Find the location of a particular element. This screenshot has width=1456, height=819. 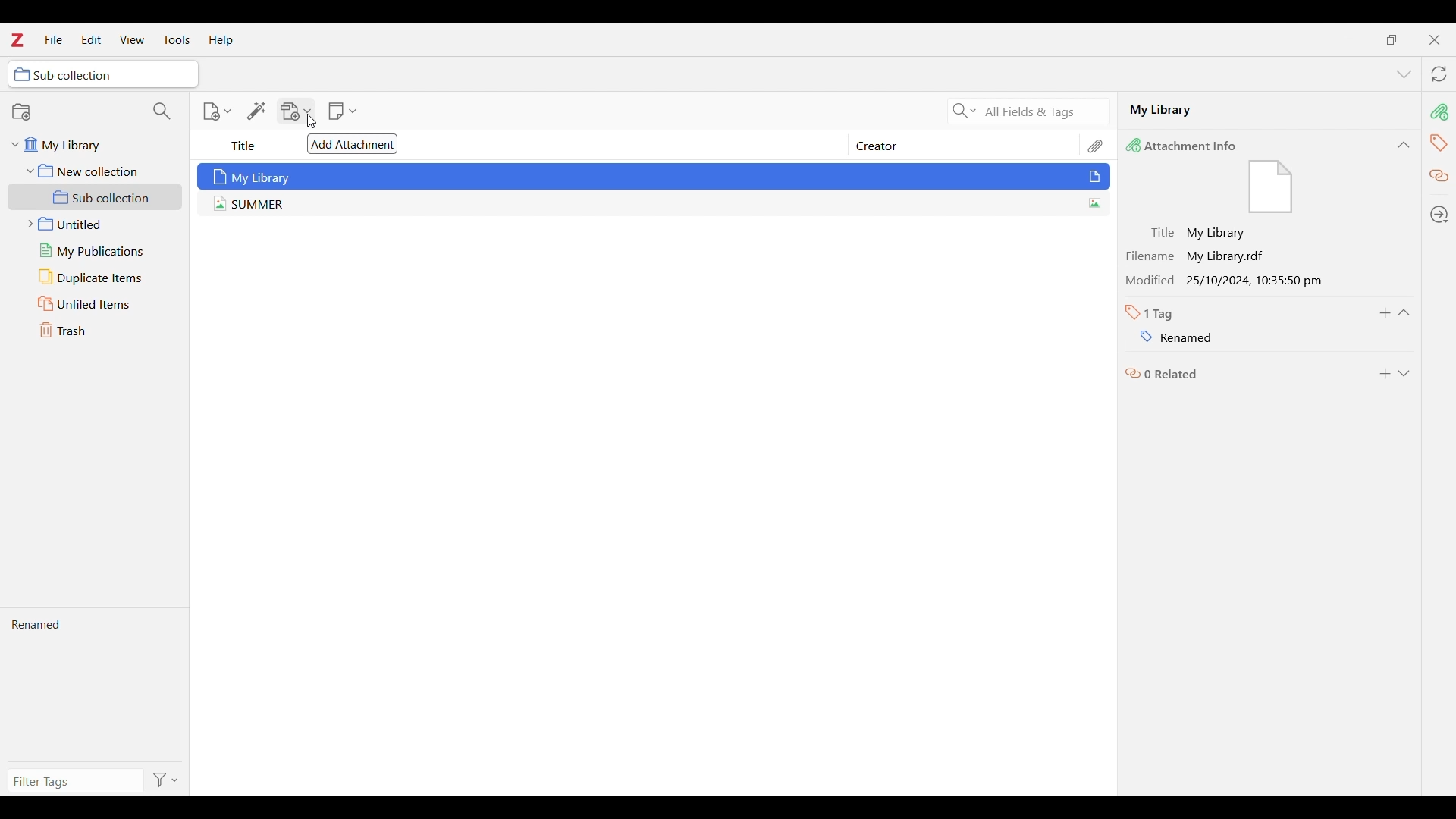

Tags is located at coordinates (1437, 143).